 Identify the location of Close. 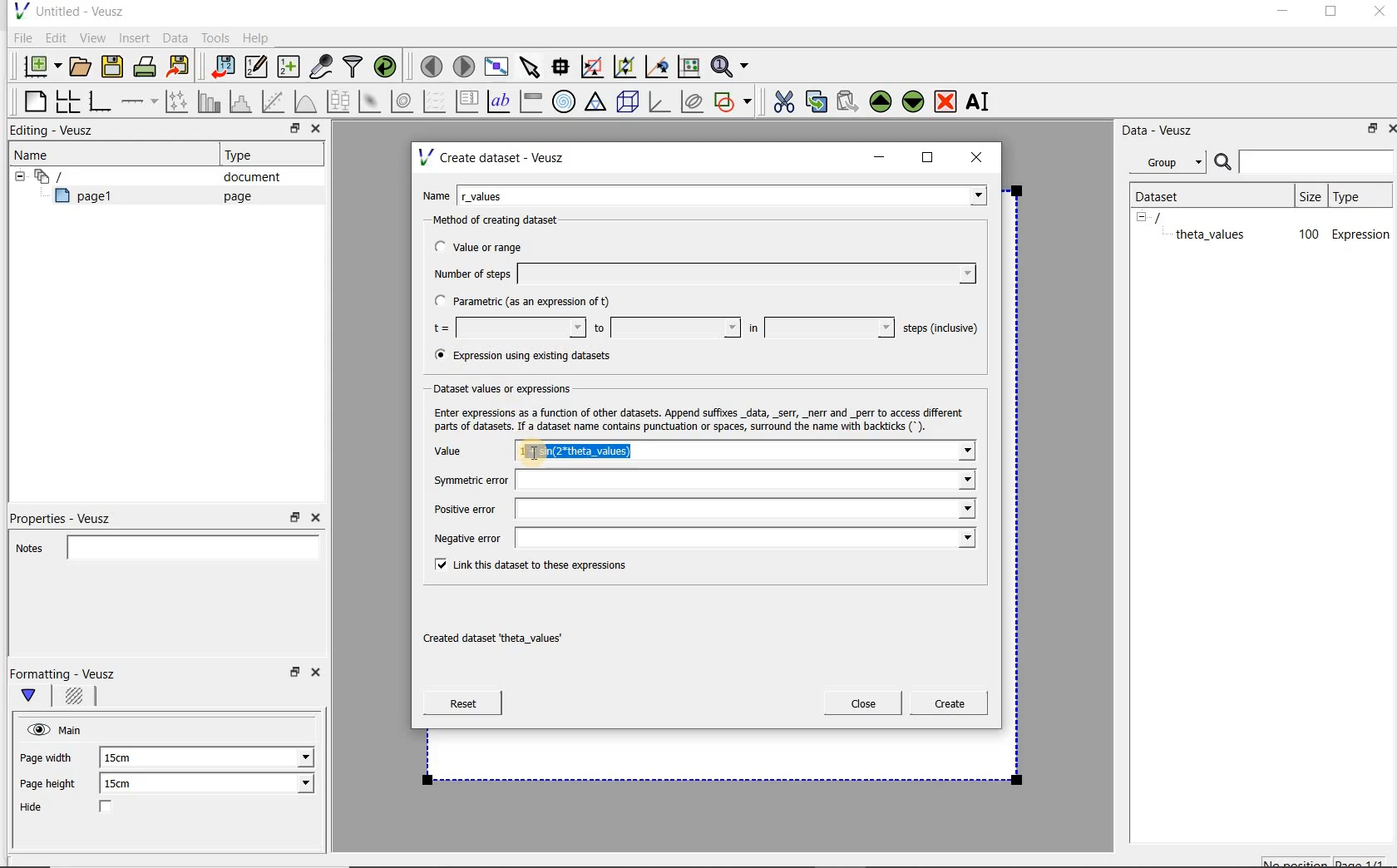
(318, 675).